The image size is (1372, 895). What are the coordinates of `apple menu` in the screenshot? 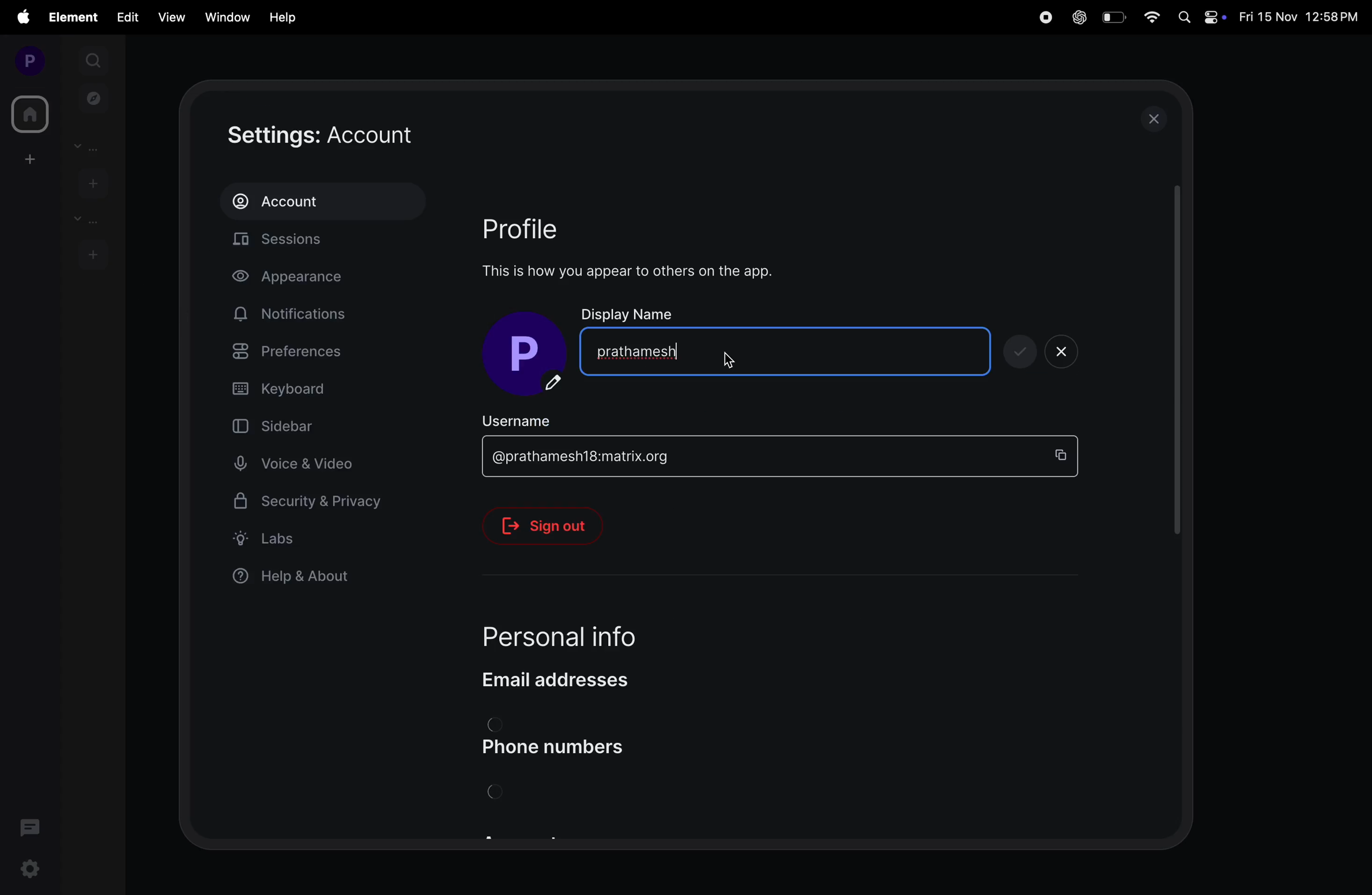 It's located at (22, 17).